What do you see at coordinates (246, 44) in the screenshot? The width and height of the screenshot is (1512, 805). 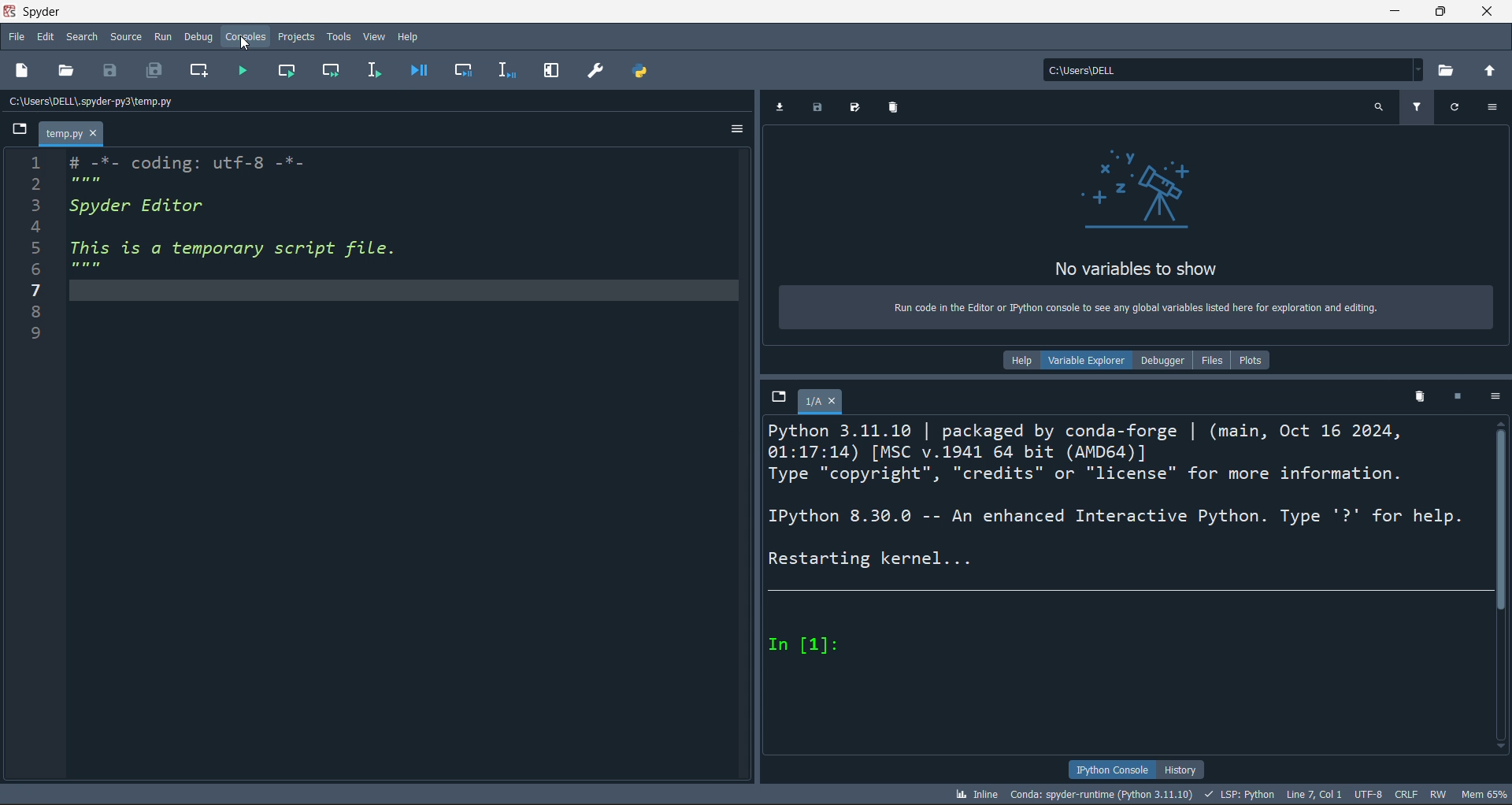 I see `cursor` at bounding box center [246, 44].